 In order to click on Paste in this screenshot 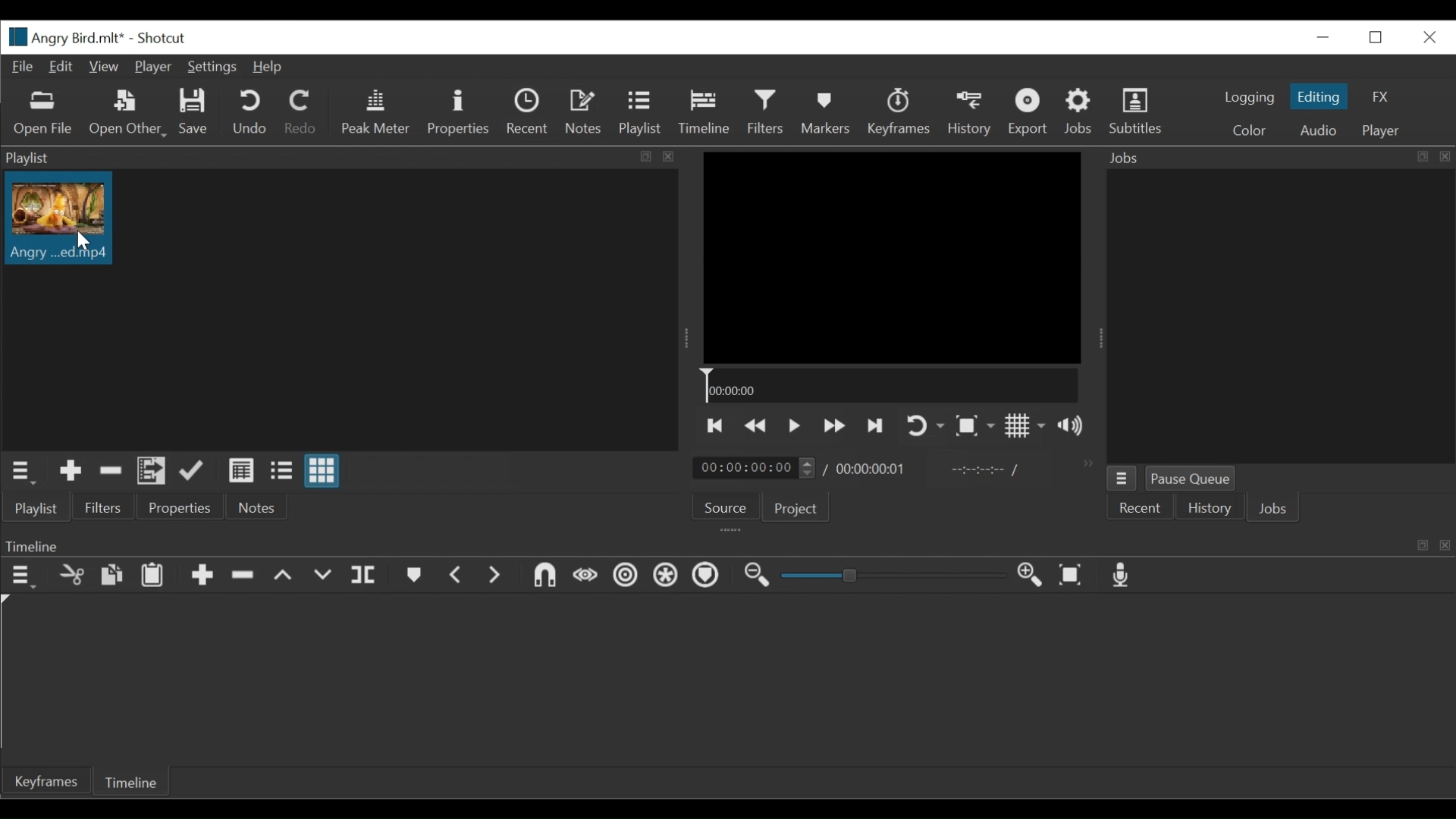, I will do `click(152, 577)`.